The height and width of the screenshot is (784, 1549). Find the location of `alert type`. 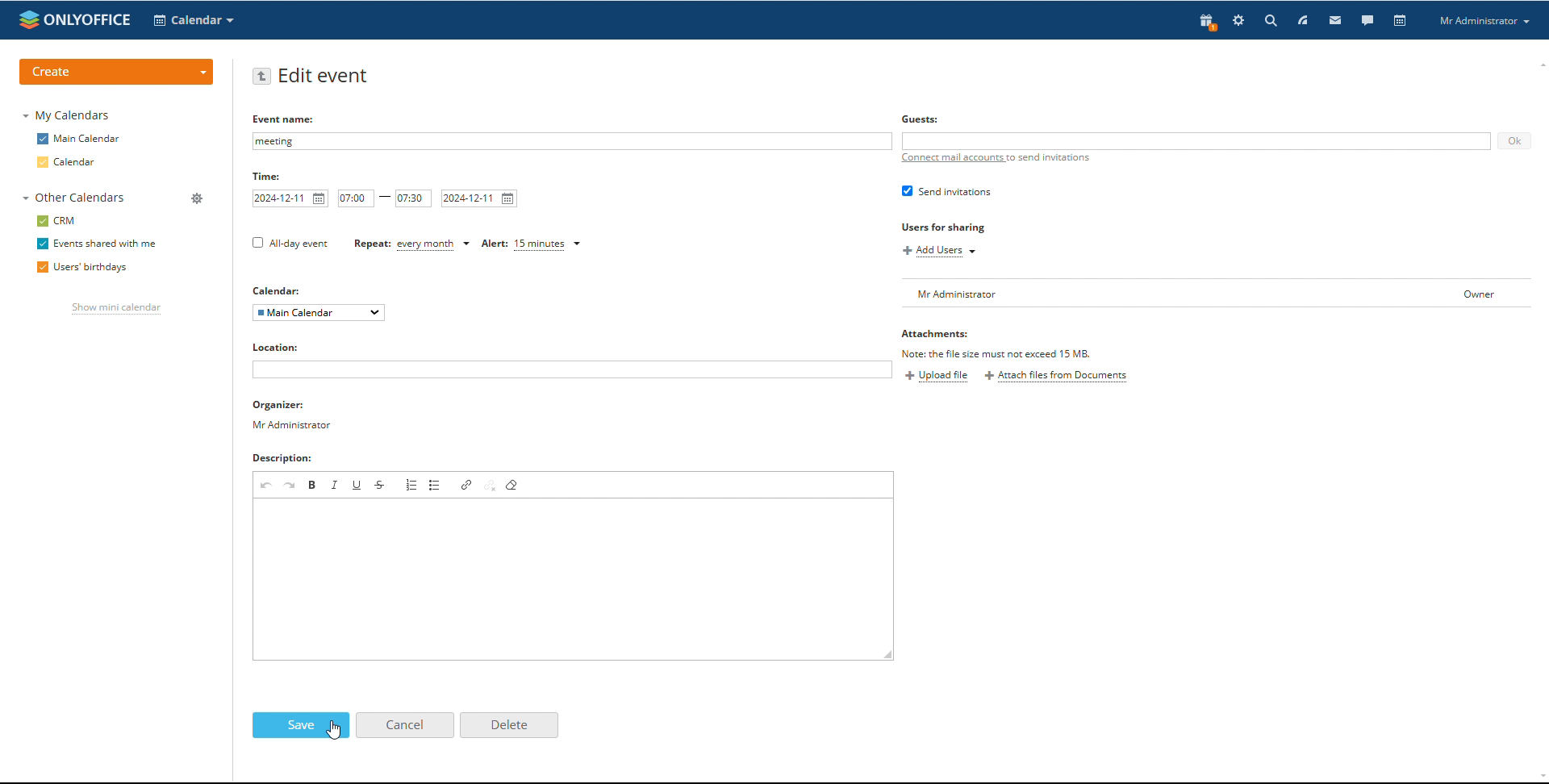

alert type is located at coordinates (527, 244).